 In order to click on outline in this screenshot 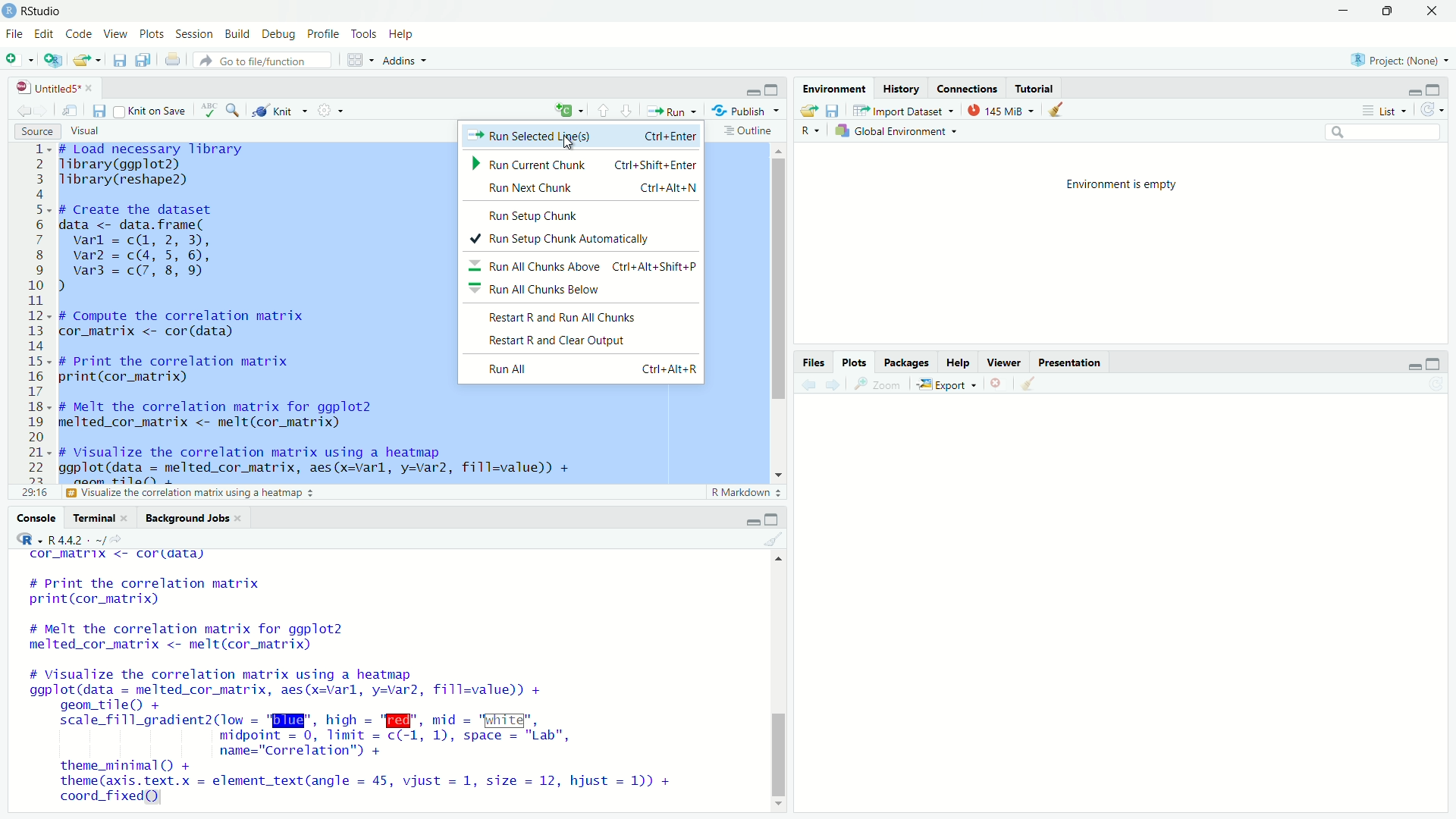, I will do `click(752, 131)`.